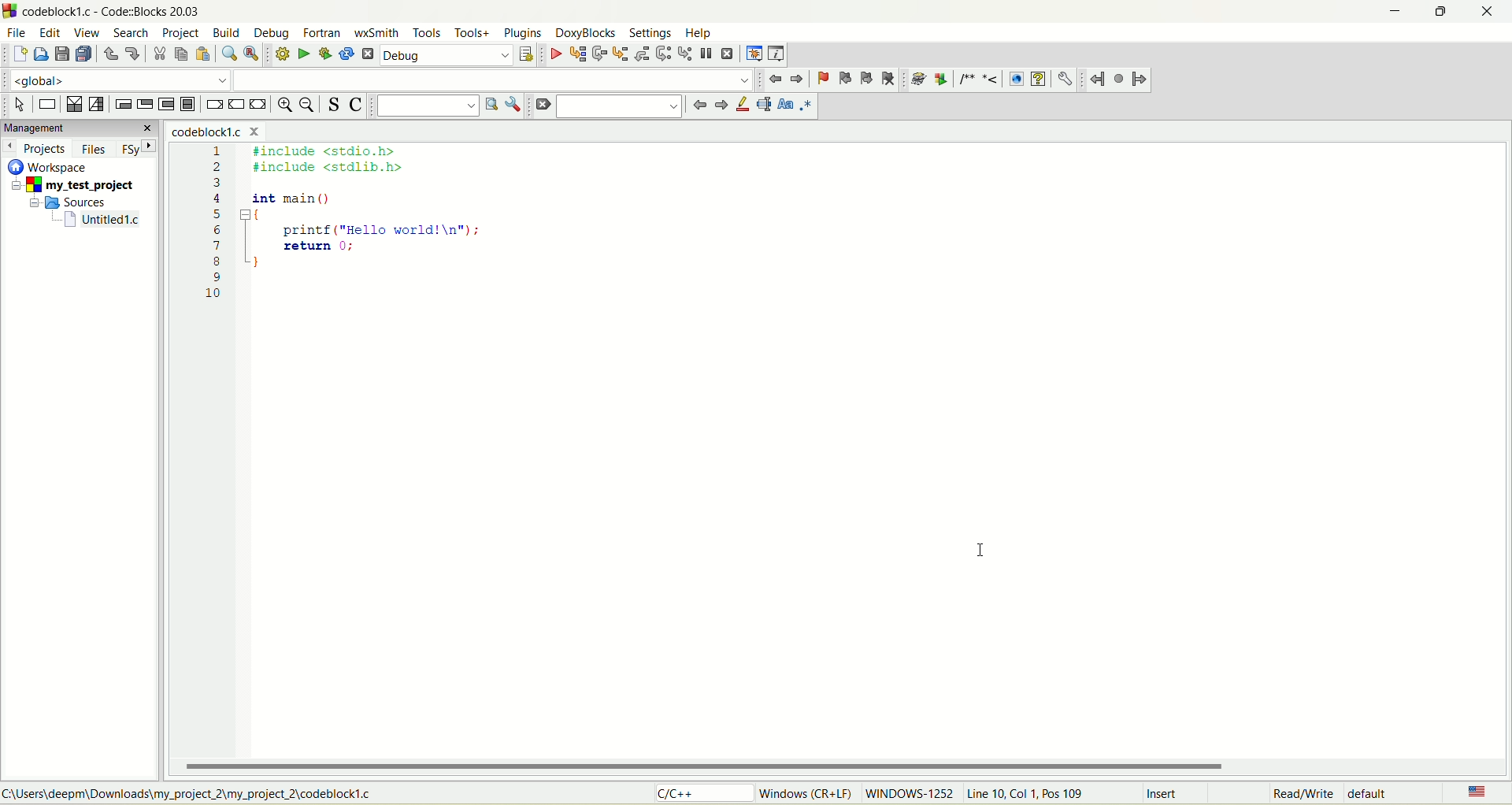 The width and height of the screenshot is (1512, 805). Describe the element at coordinates (662, 53) in the screenshot. I see `next instruction` at that location.